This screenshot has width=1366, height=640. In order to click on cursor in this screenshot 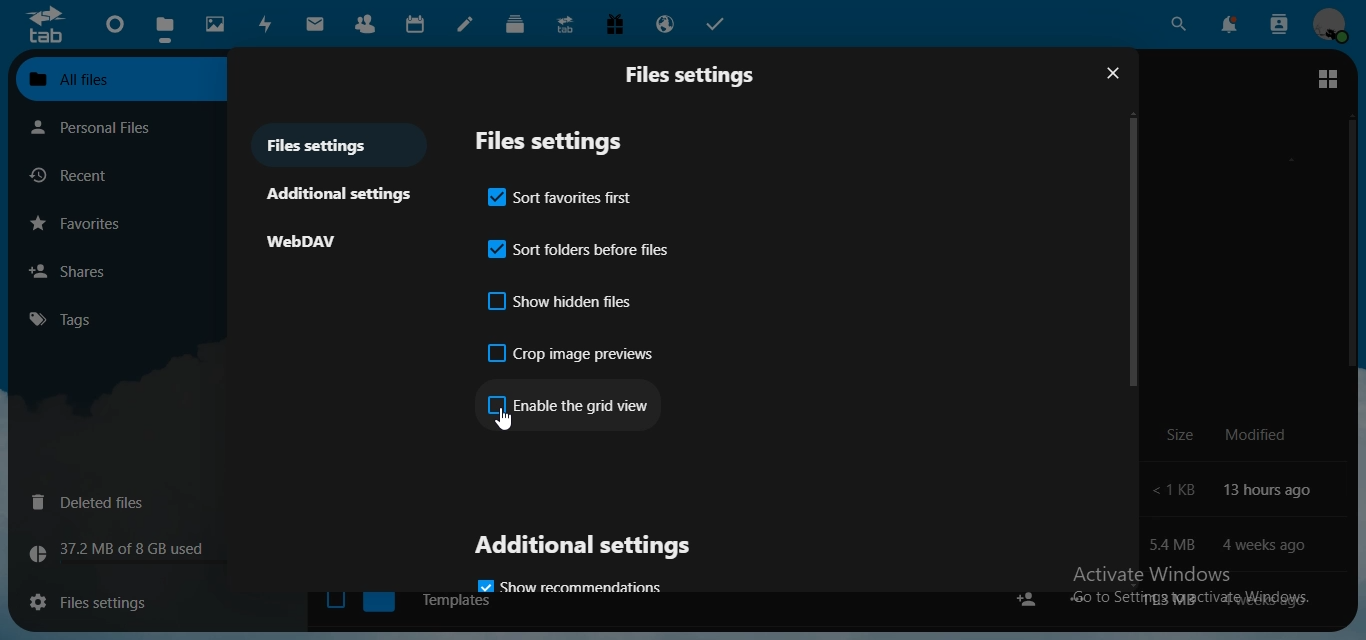, I will do `click(505, 422)`.